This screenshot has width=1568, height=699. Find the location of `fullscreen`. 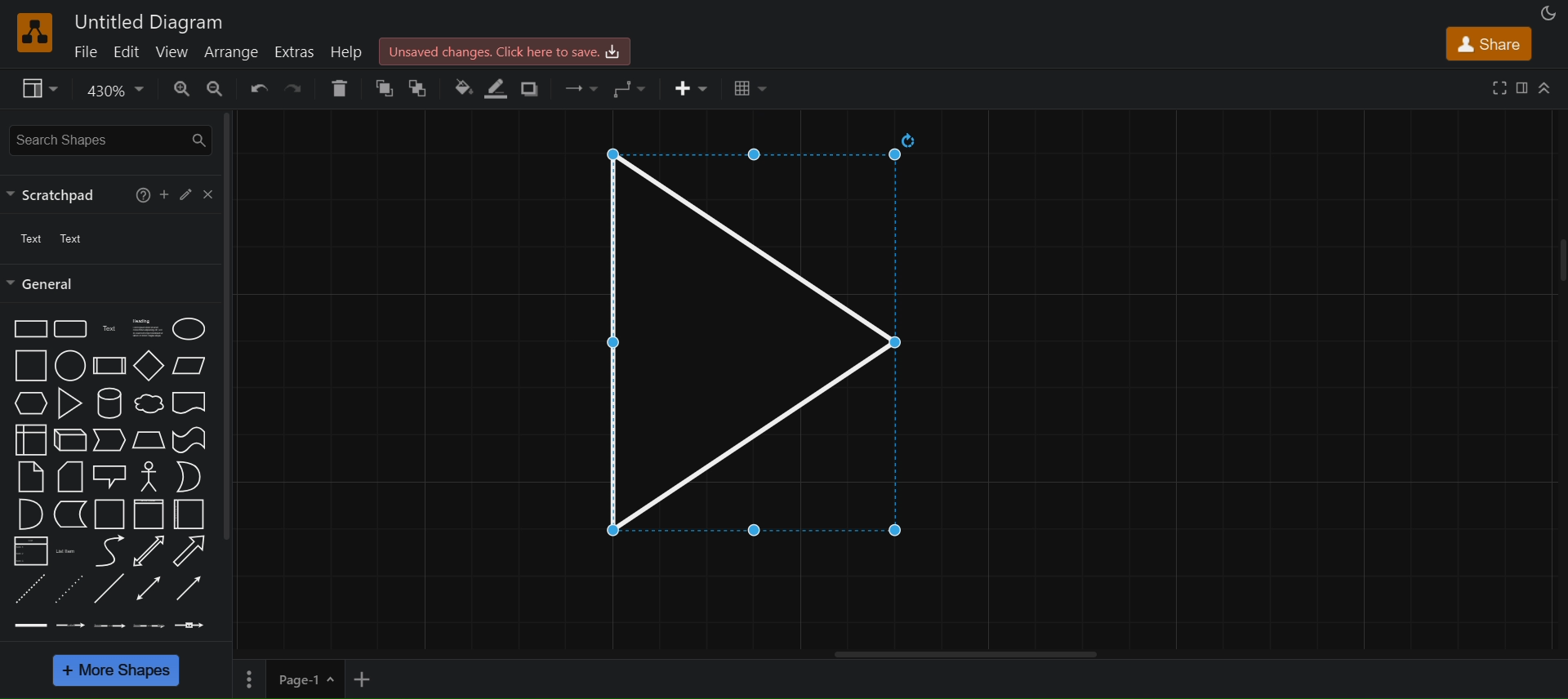

fullscreen is located at coordinates (1496, 86).